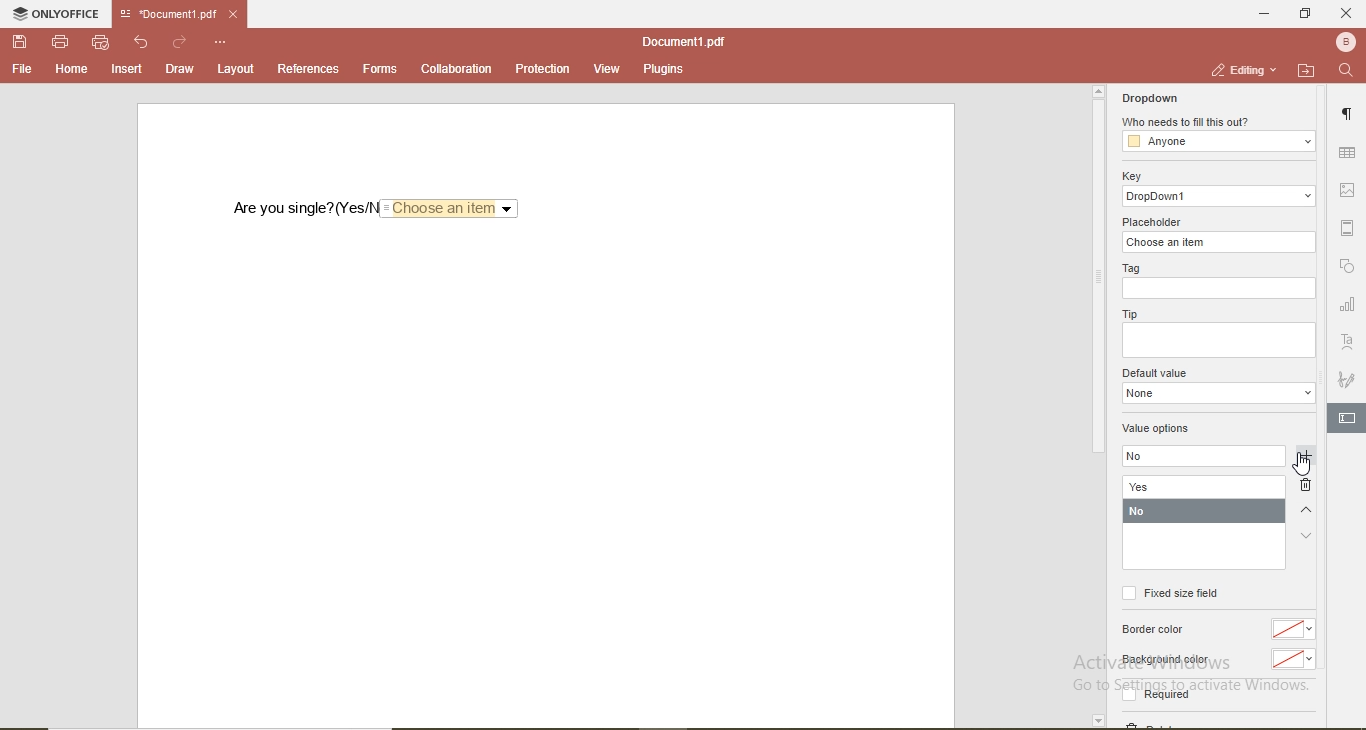 Image resolution: width=1366 pixels, height=730 pixels. I want to click on yes, so click(1203, 488).